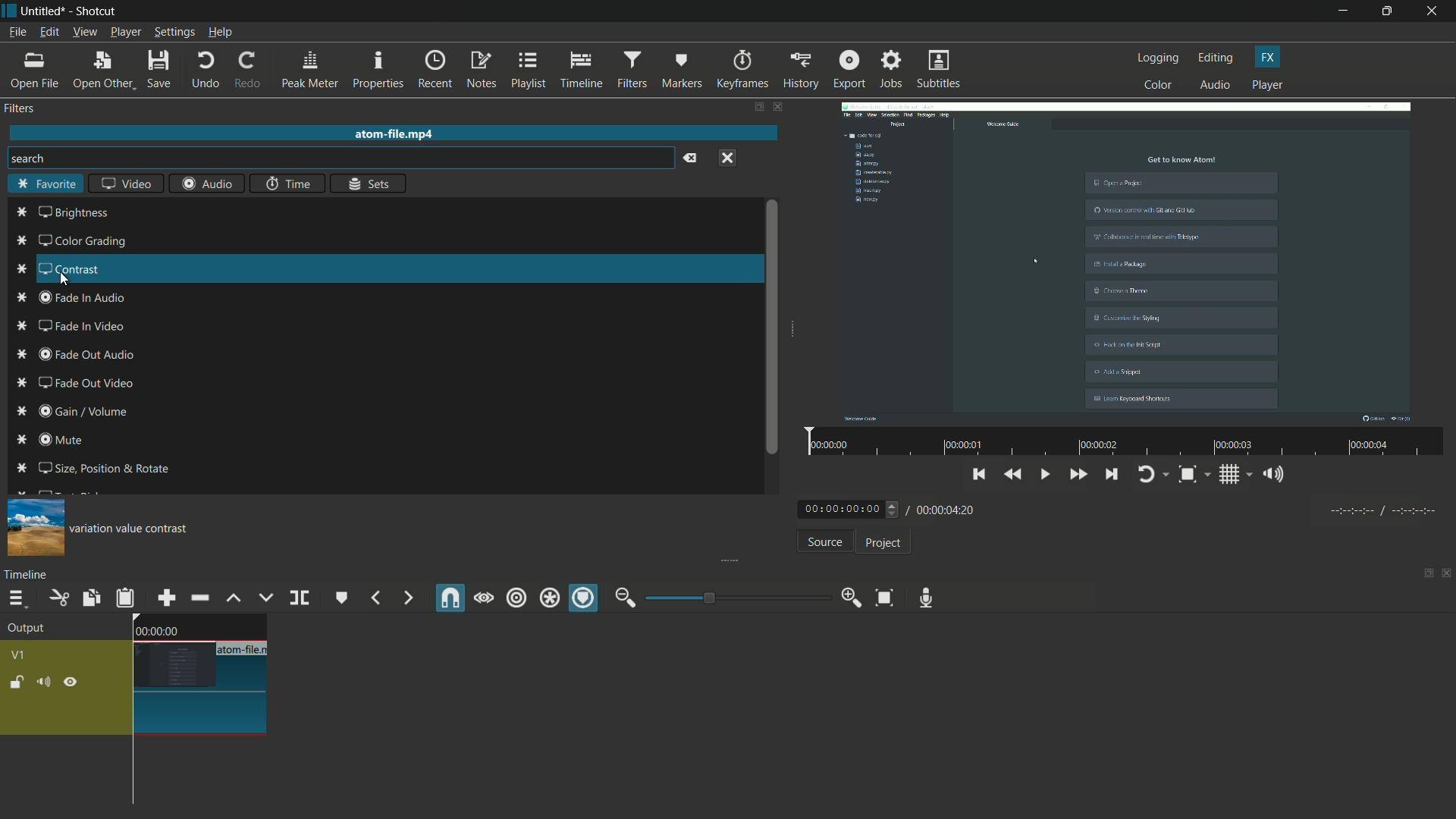 The image size is (1456, 819). I want to click on time, so click(287, 184).